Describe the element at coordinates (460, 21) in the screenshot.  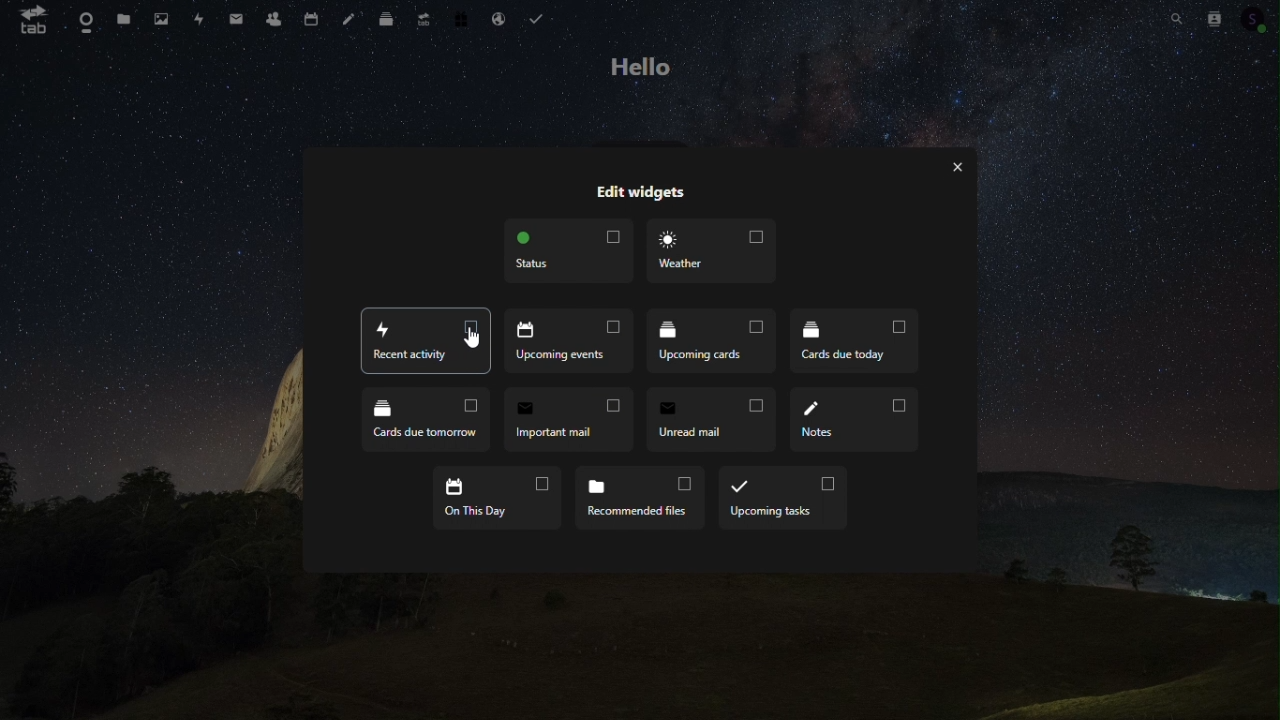
I see `Free trial` at that location.